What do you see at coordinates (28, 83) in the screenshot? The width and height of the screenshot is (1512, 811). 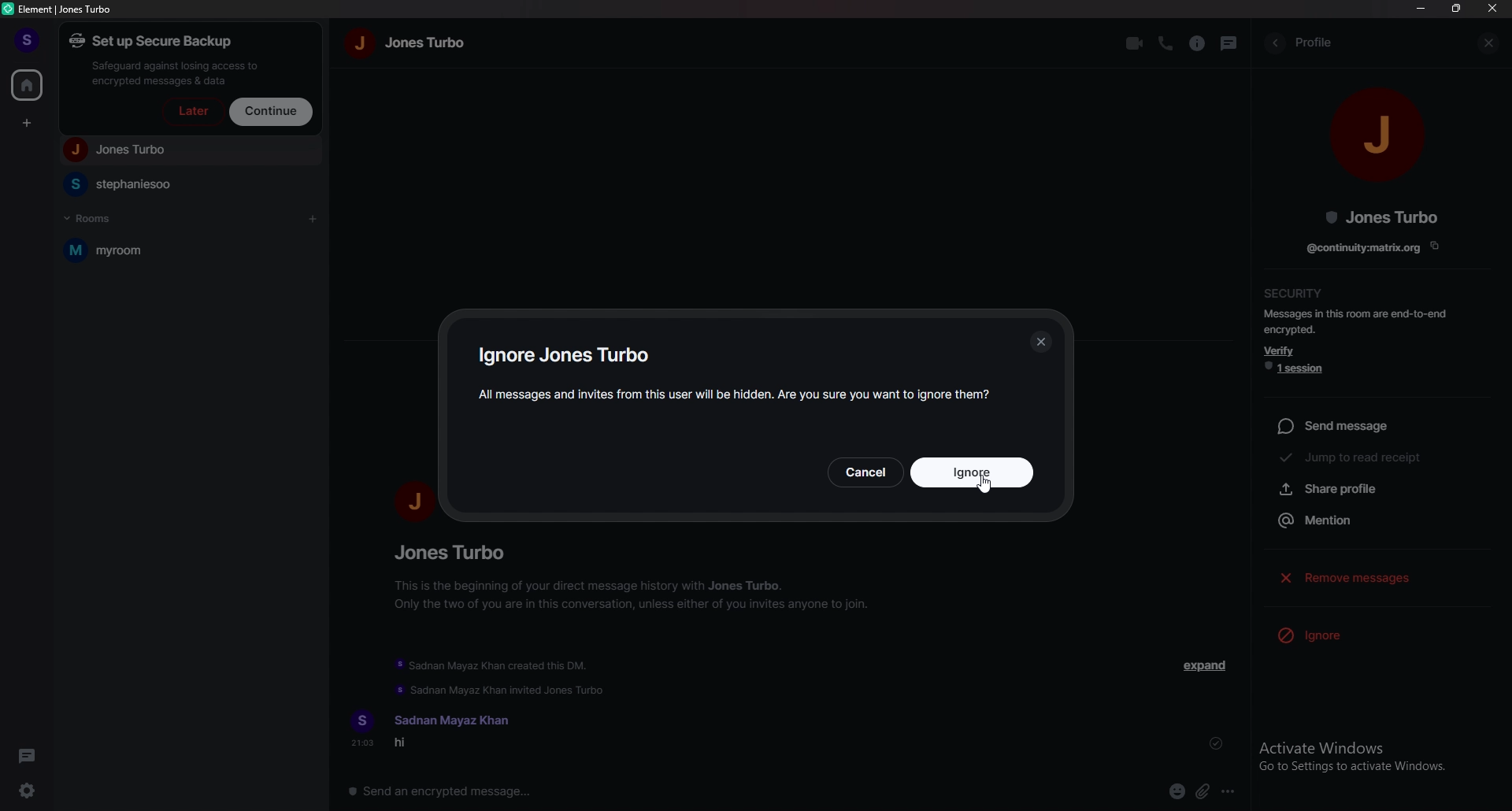 I see `home` at bounding box center [28, 83].